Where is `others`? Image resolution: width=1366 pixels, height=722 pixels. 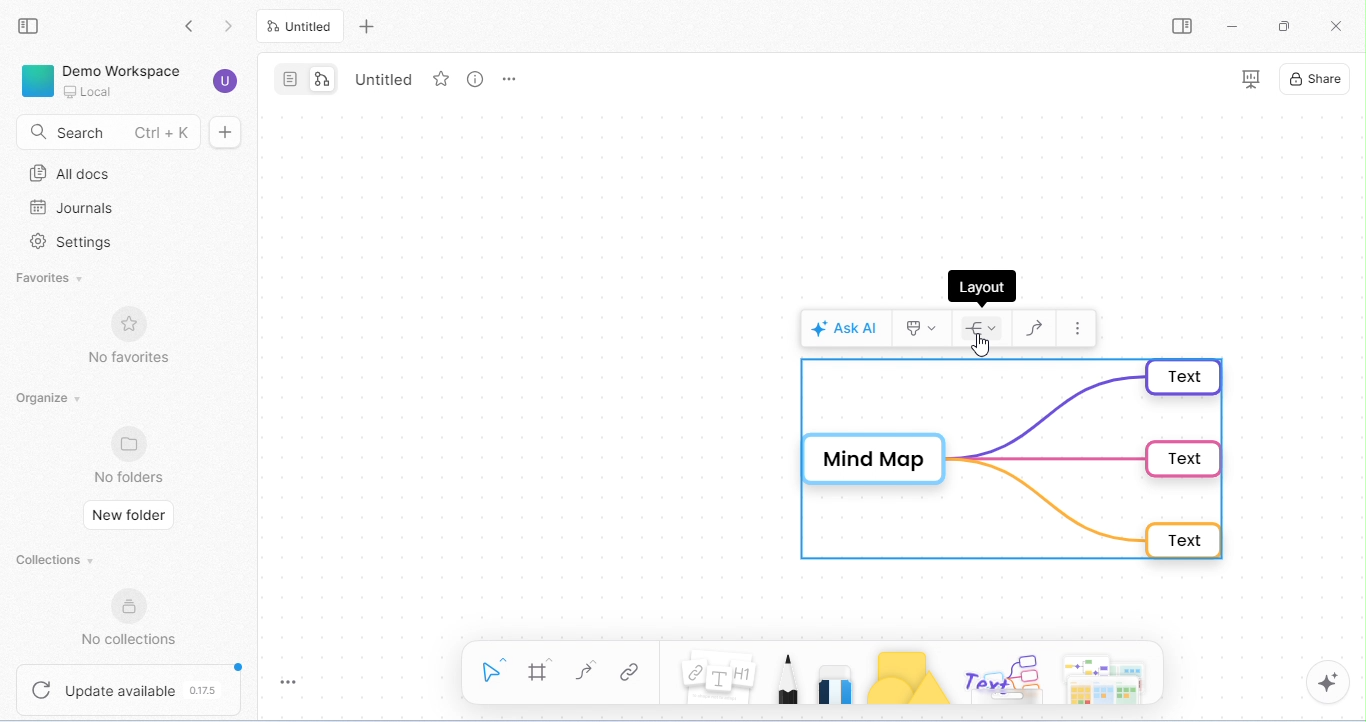 others is located at coordinates (1000, 676).